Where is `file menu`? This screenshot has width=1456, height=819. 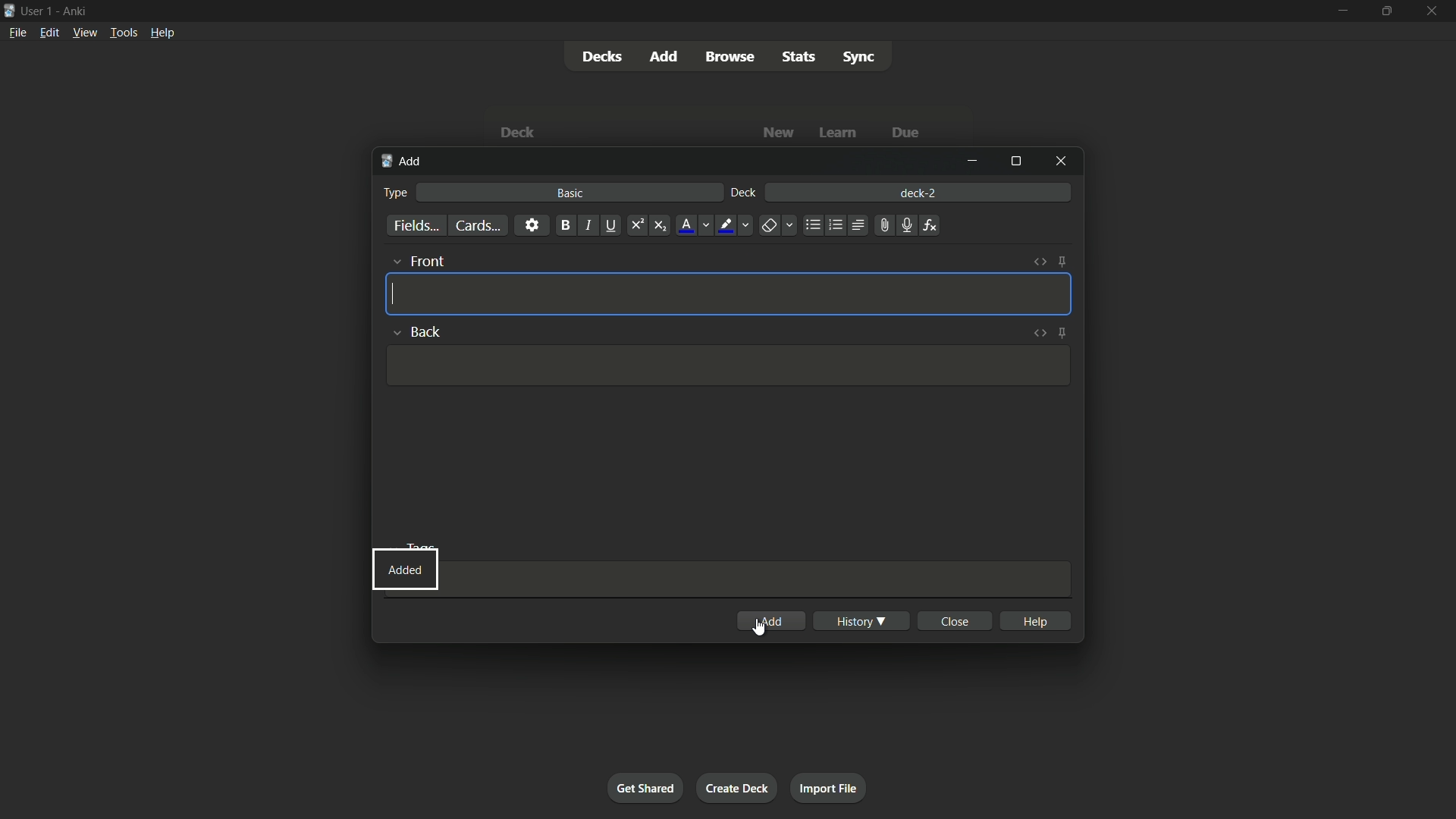 file menu is located at coordinates (16, 33).